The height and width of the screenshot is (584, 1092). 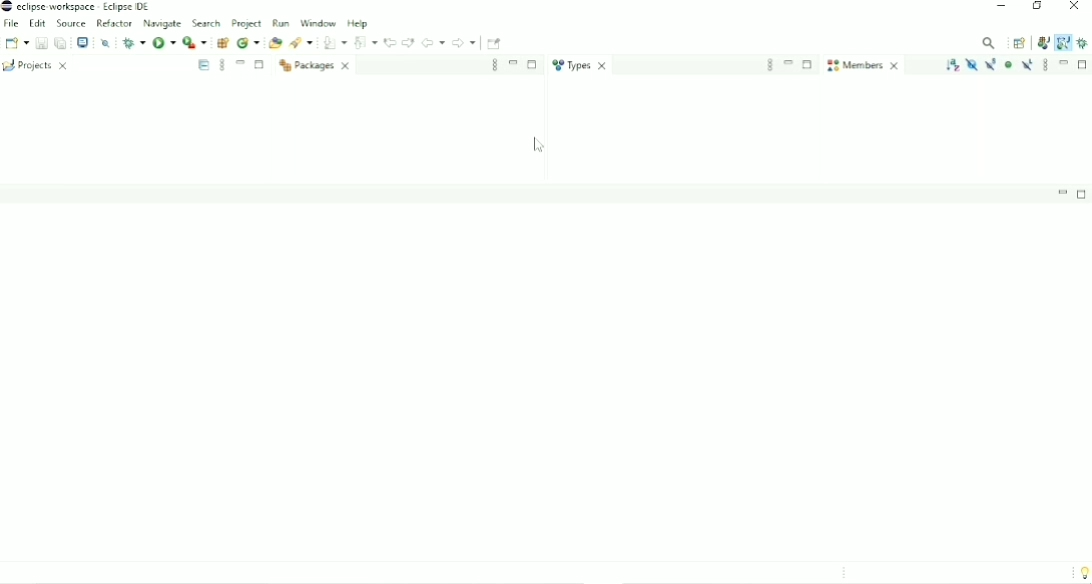 I want to click on View Menu, so click(x=494, y=65).